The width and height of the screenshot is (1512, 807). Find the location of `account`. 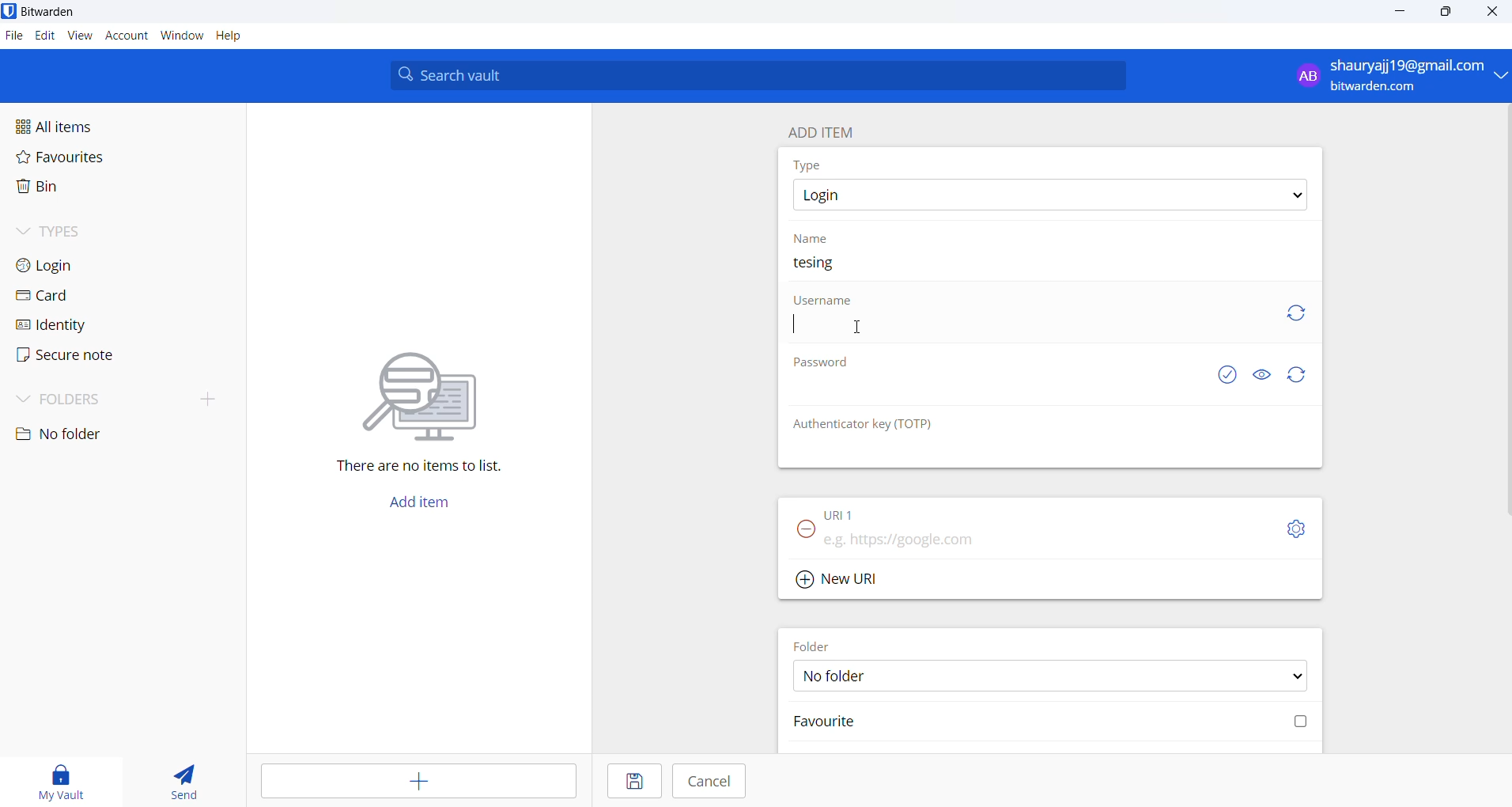

account is located at coordinates (127, 37).